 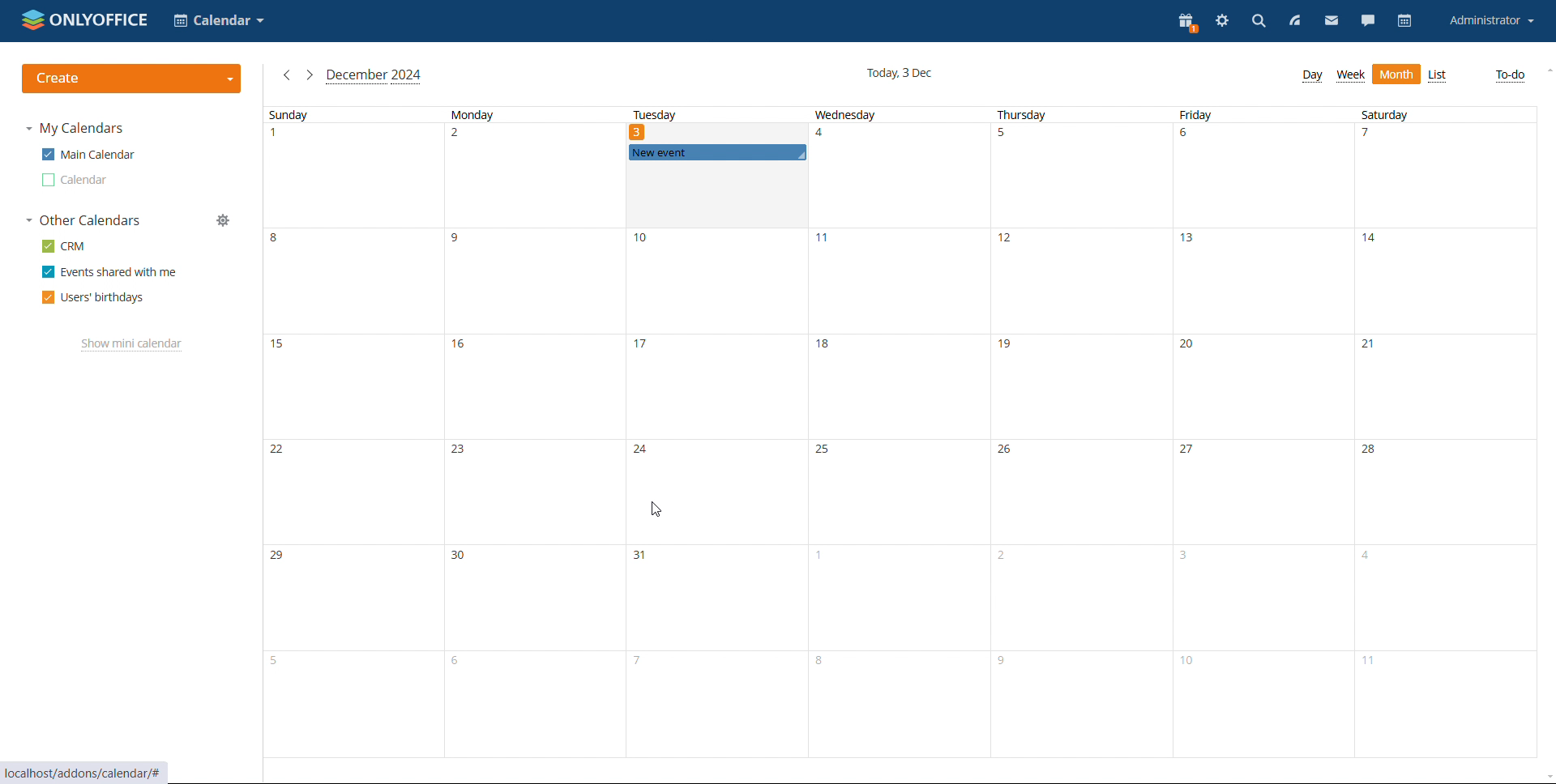 I want to click on current date, so click(x=901, y=74).